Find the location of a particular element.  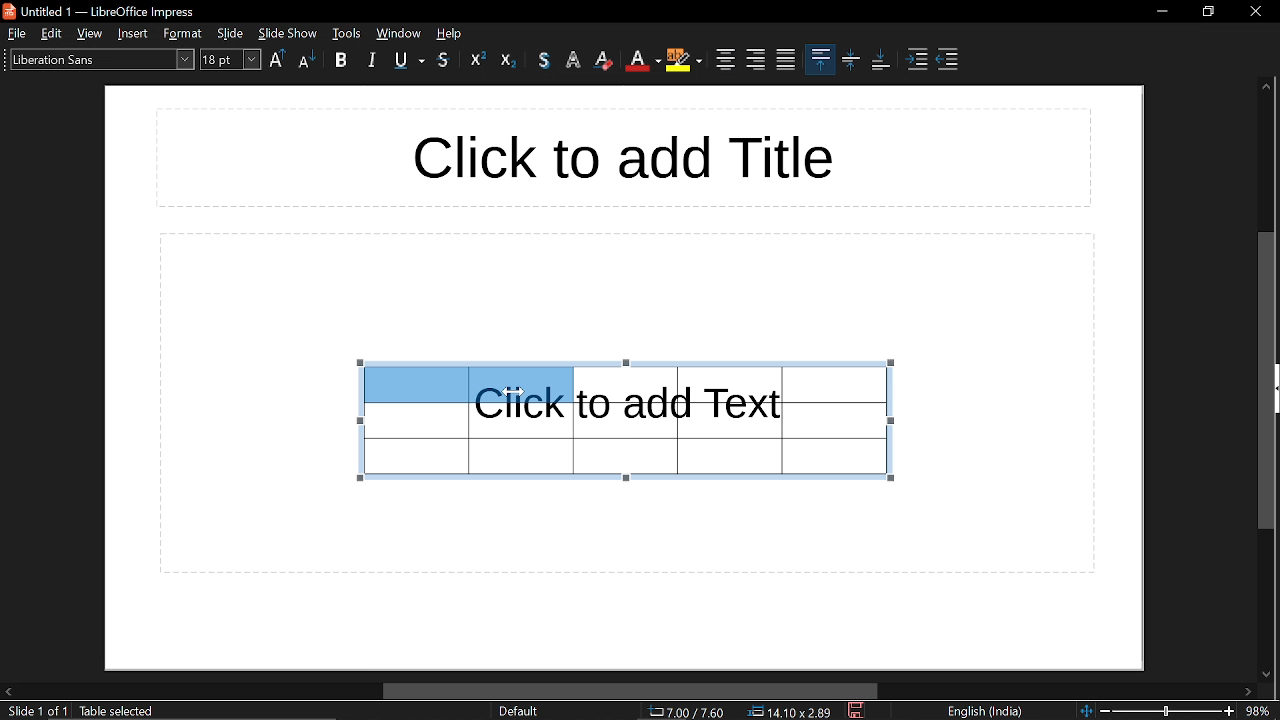

Uppercase is located at coordinates (278, 60).